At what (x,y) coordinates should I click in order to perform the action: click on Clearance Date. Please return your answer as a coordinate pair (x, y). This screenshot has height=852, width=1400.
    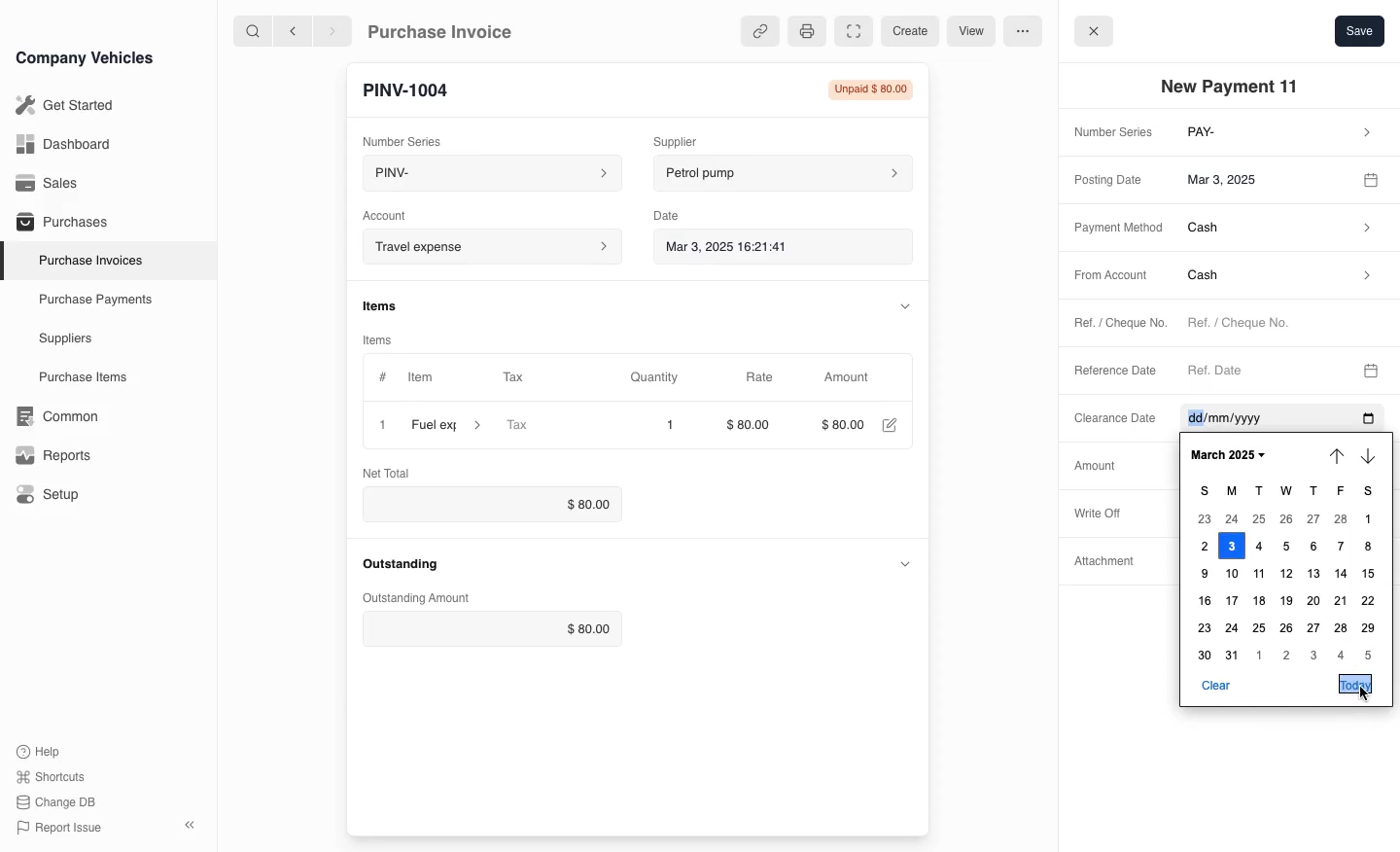
    Looking at the image, I should click on (1108, 420).